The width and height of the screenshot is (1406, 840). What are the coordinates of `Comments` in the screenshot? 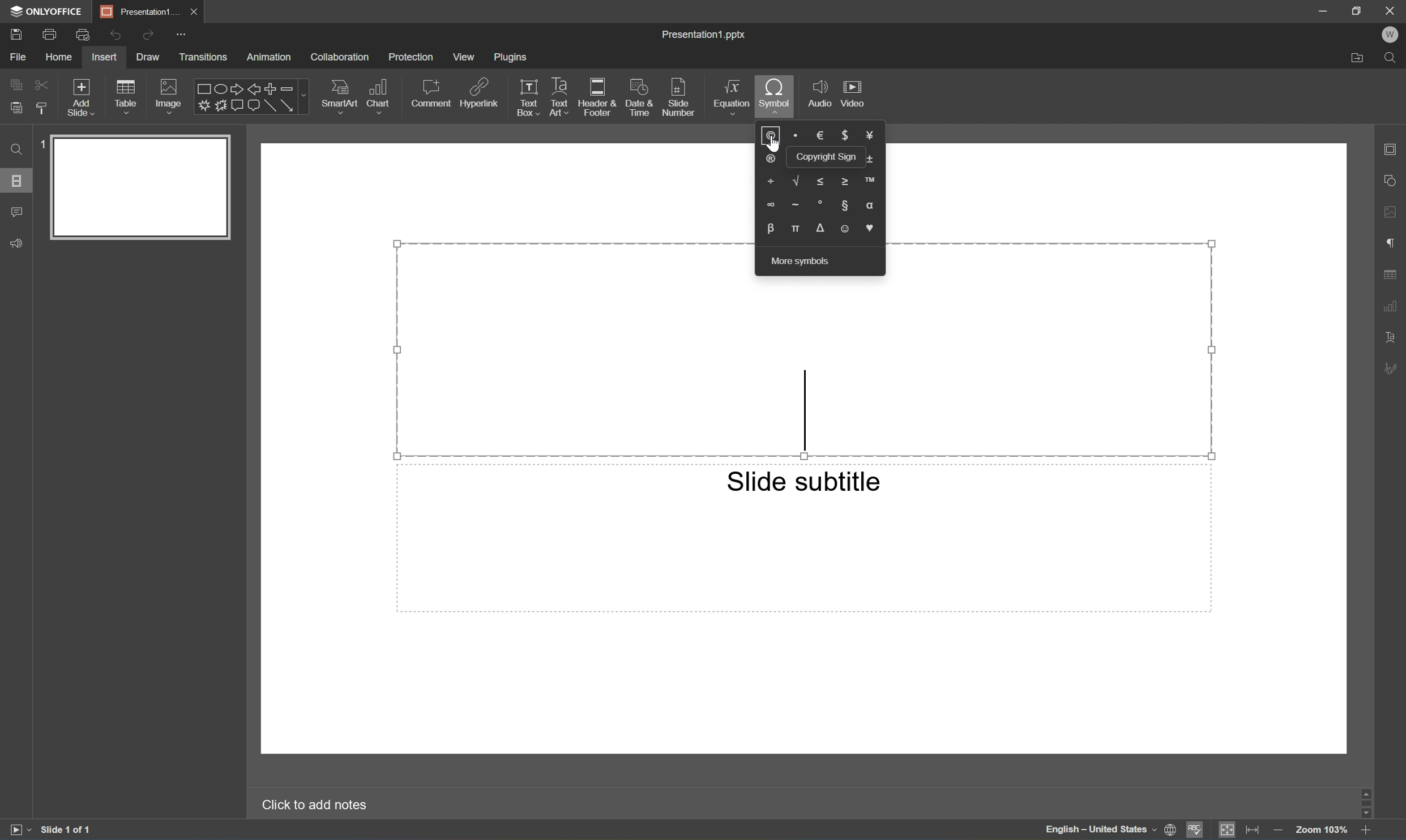 It's located at (18, 211).